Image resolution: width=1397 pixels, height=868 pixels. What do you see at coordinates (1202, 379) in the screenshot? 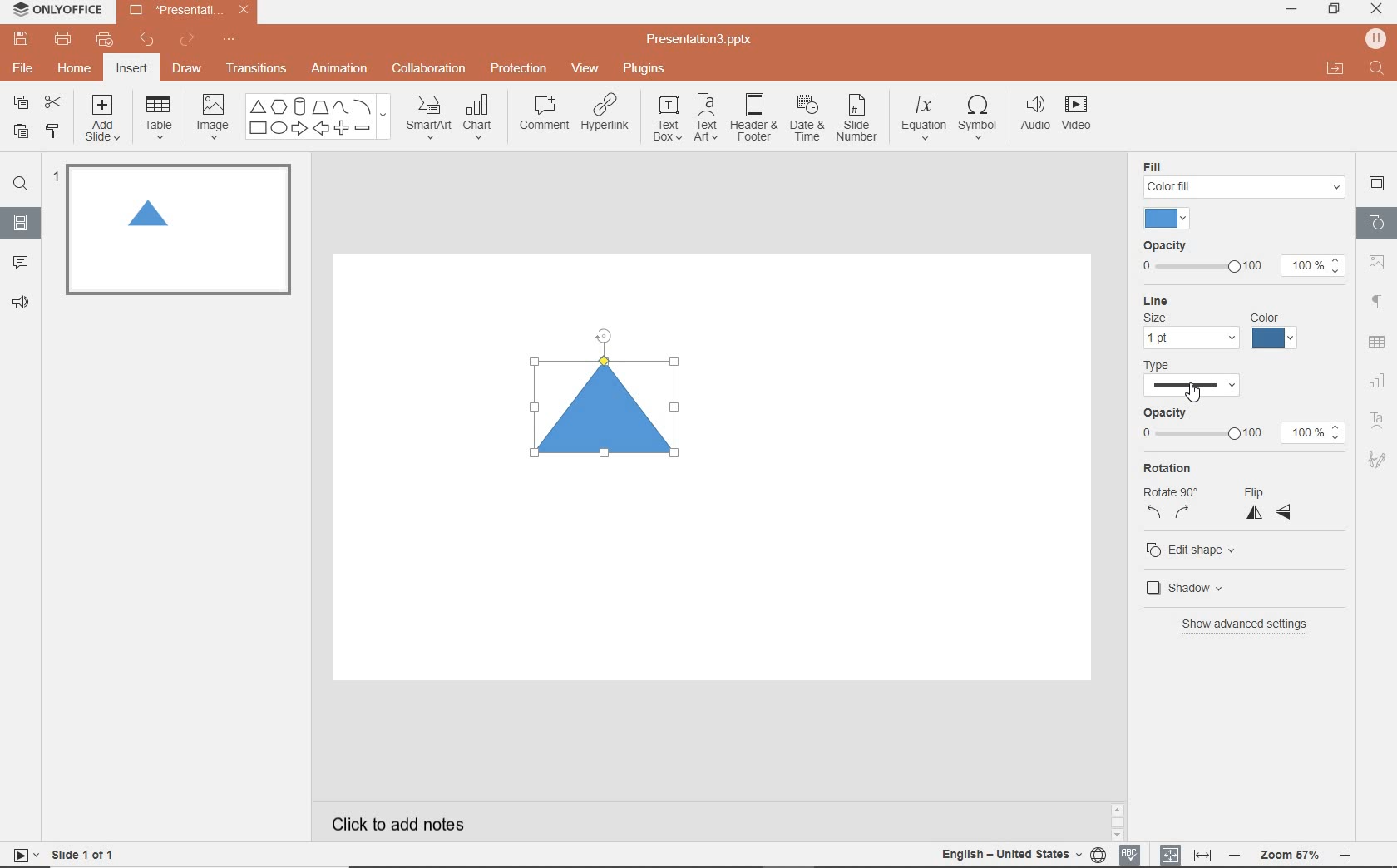
I see `line type` at bounding box center [1202, 379].